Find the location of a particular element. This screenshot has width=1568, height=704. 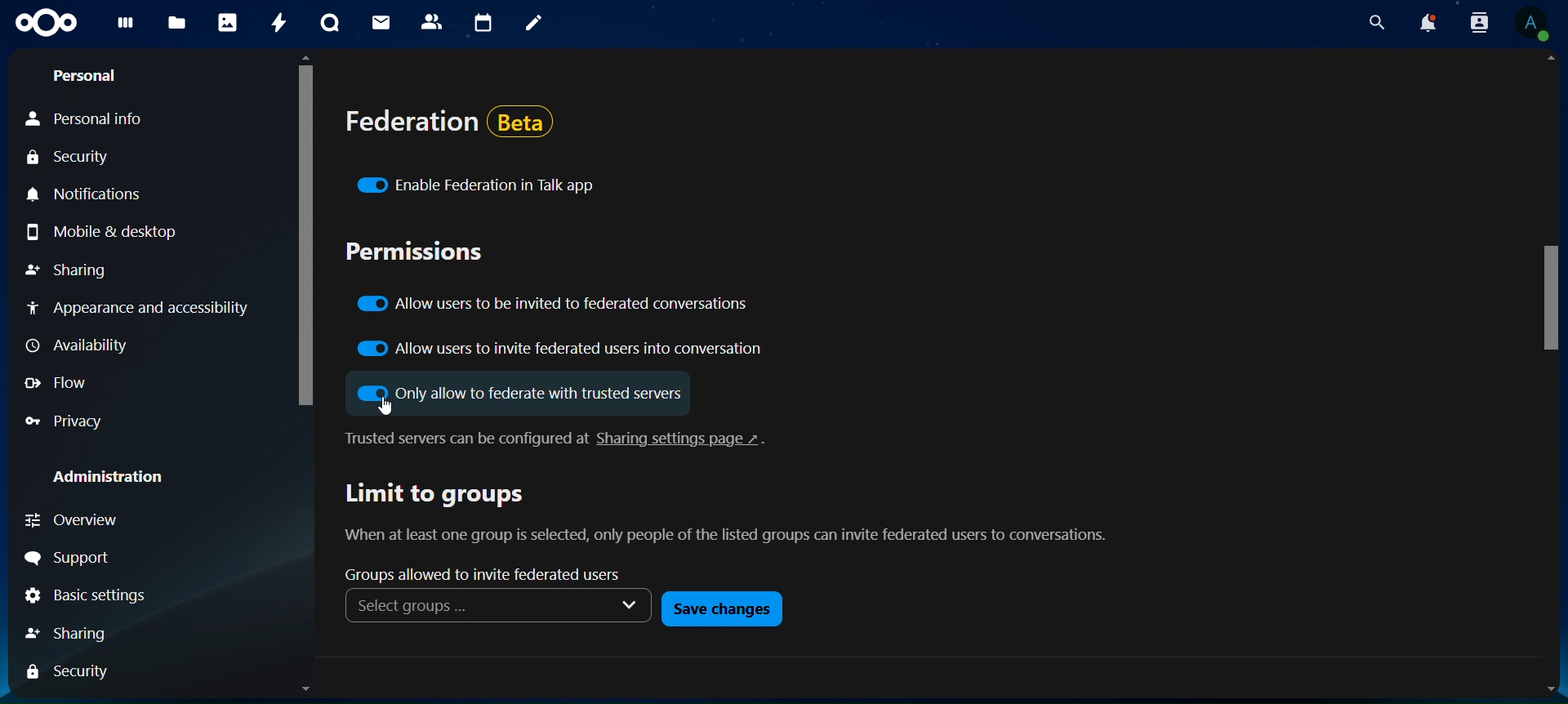

calendar is located at coordinates (485, 25).